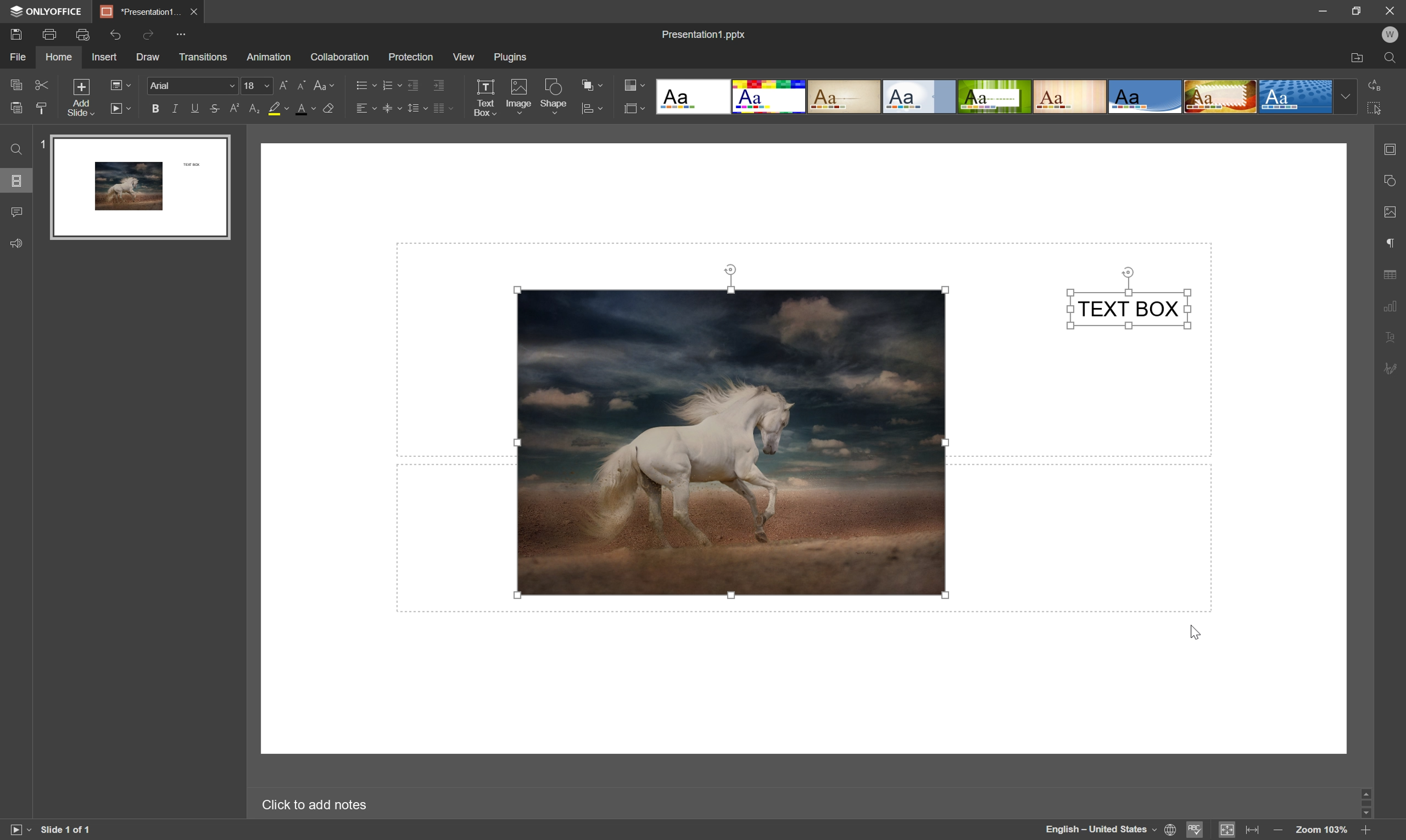  I want to click on Lines, so click(1070, 96).